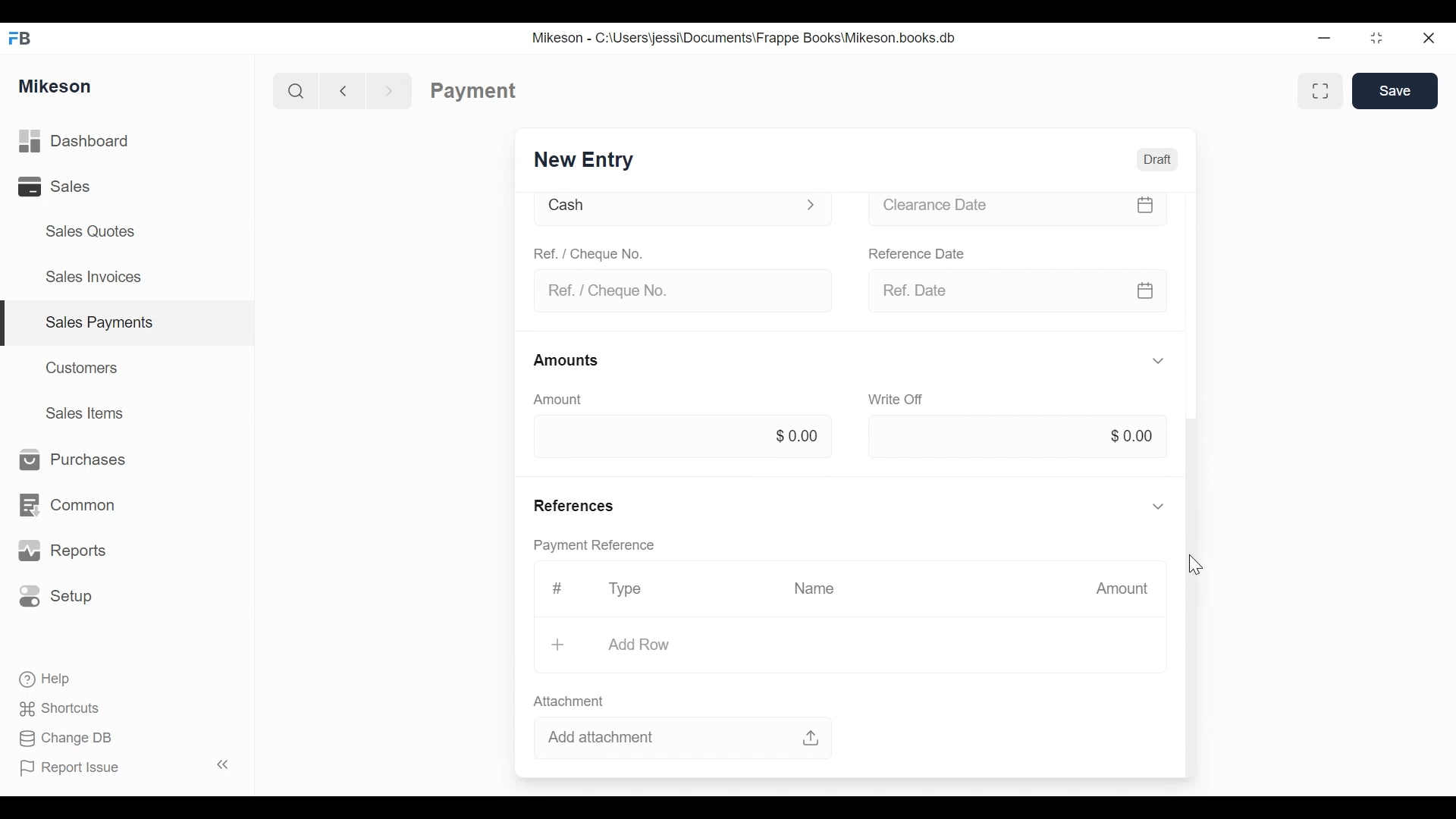 Image resolution: width=1456 pixels, height=819 pixels. I want to click on Purchases, so click(72, 460).